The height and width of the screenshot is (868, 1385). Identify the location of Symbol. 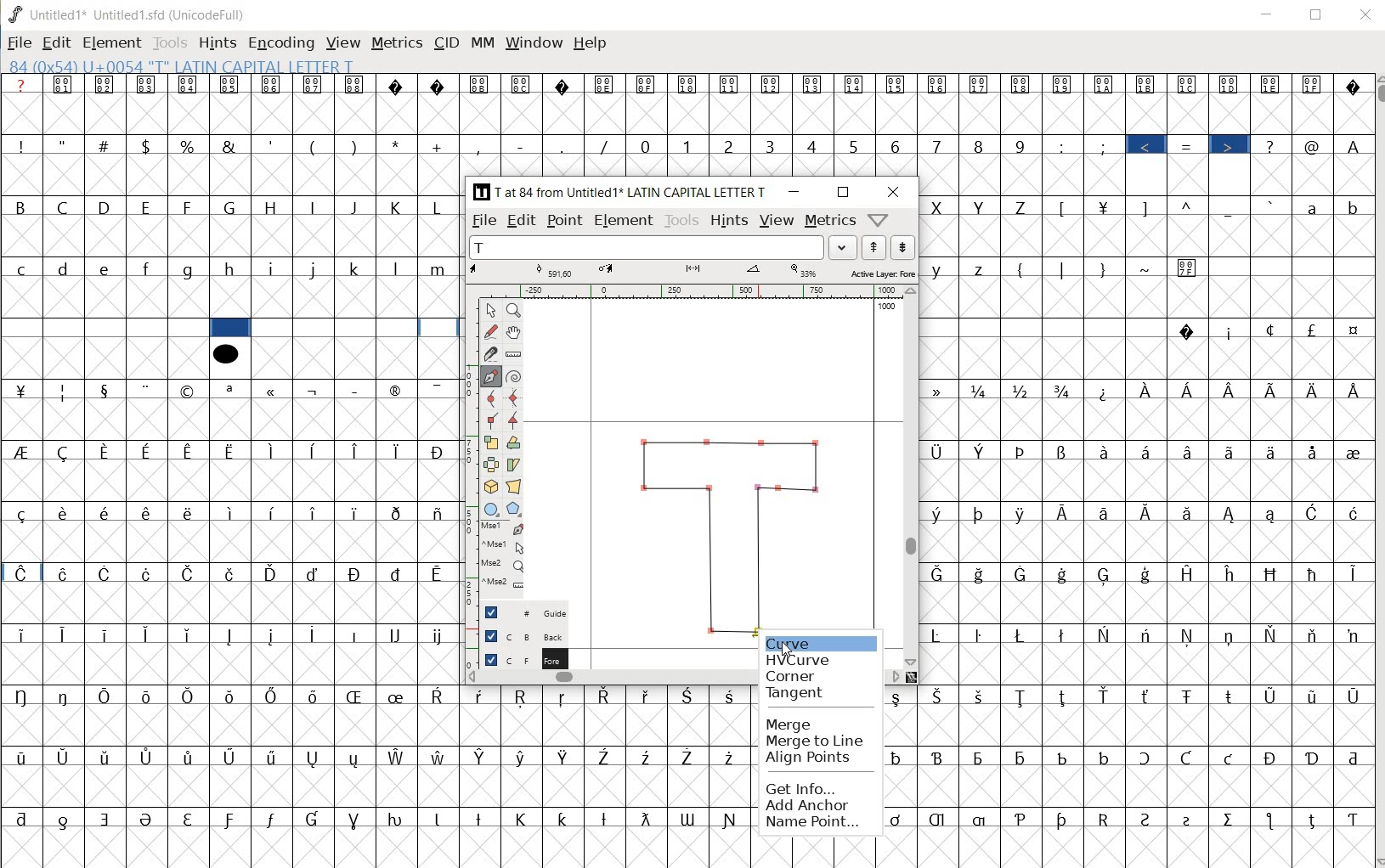
(316, 633).